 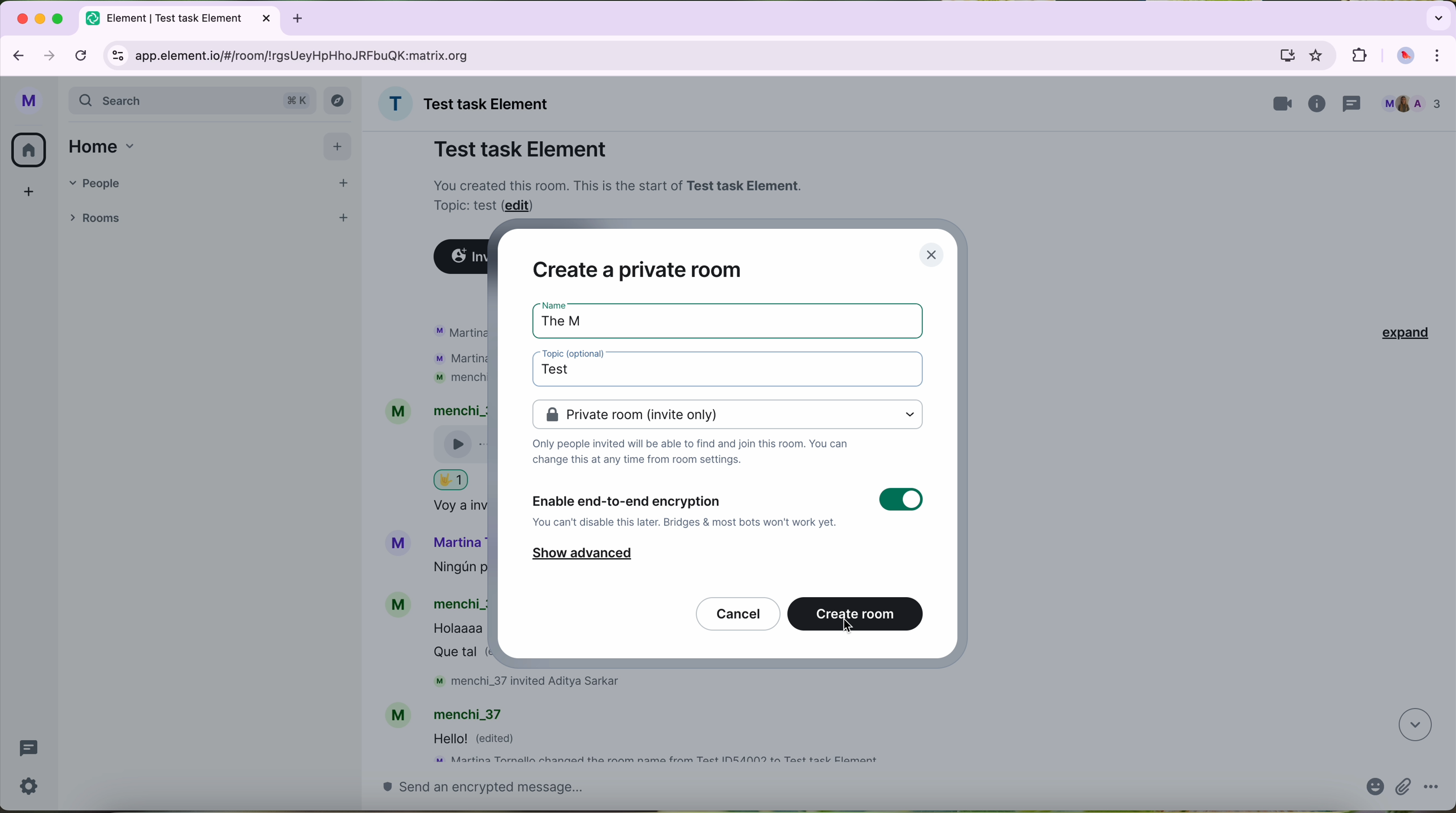 I want to click on refresh page, so click(x=82, y=54).